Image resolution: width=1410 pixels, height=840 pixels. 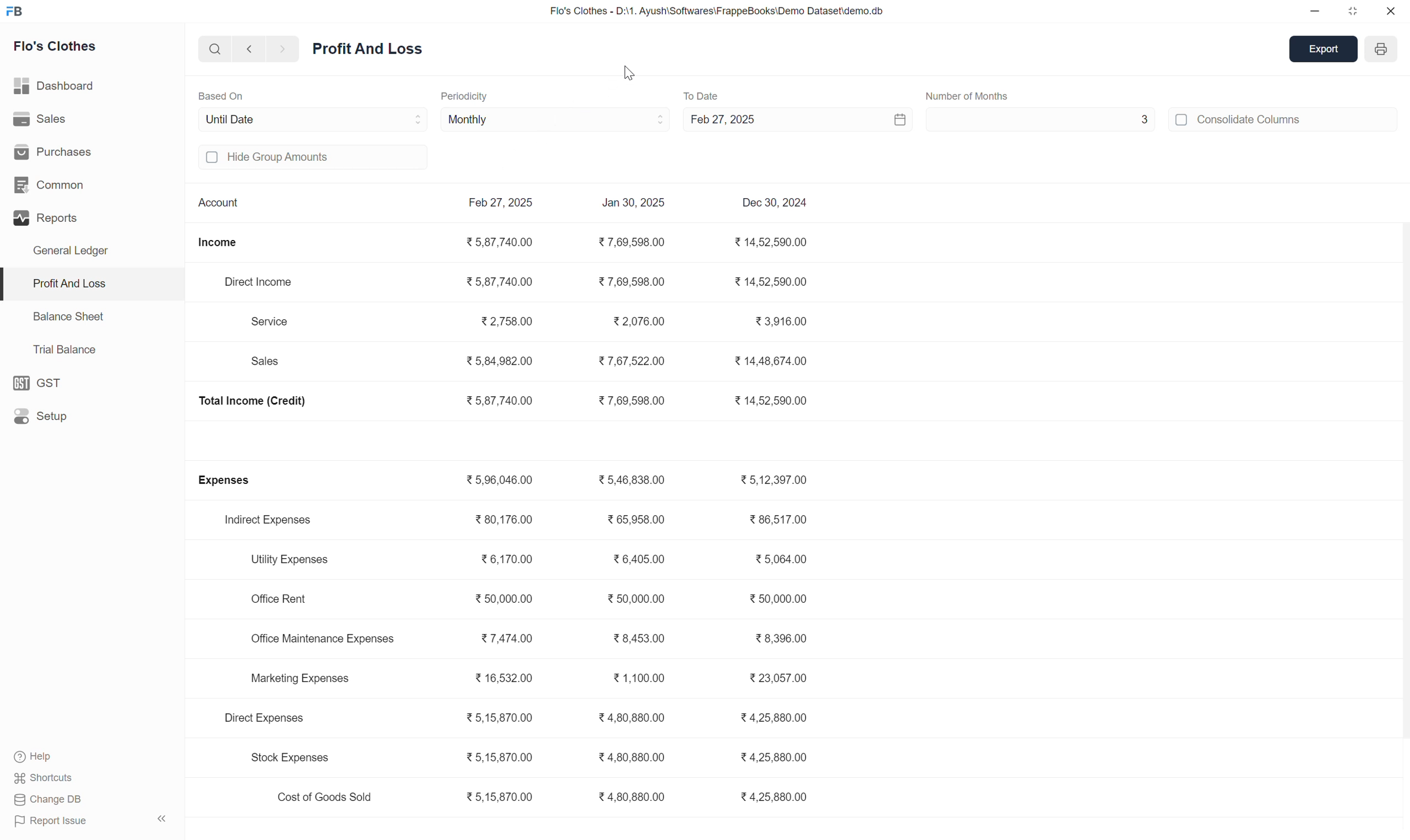 What do you see at coordinates (38, 383) in the screenshot?
I see `setup` at bounding box center [38, 383].